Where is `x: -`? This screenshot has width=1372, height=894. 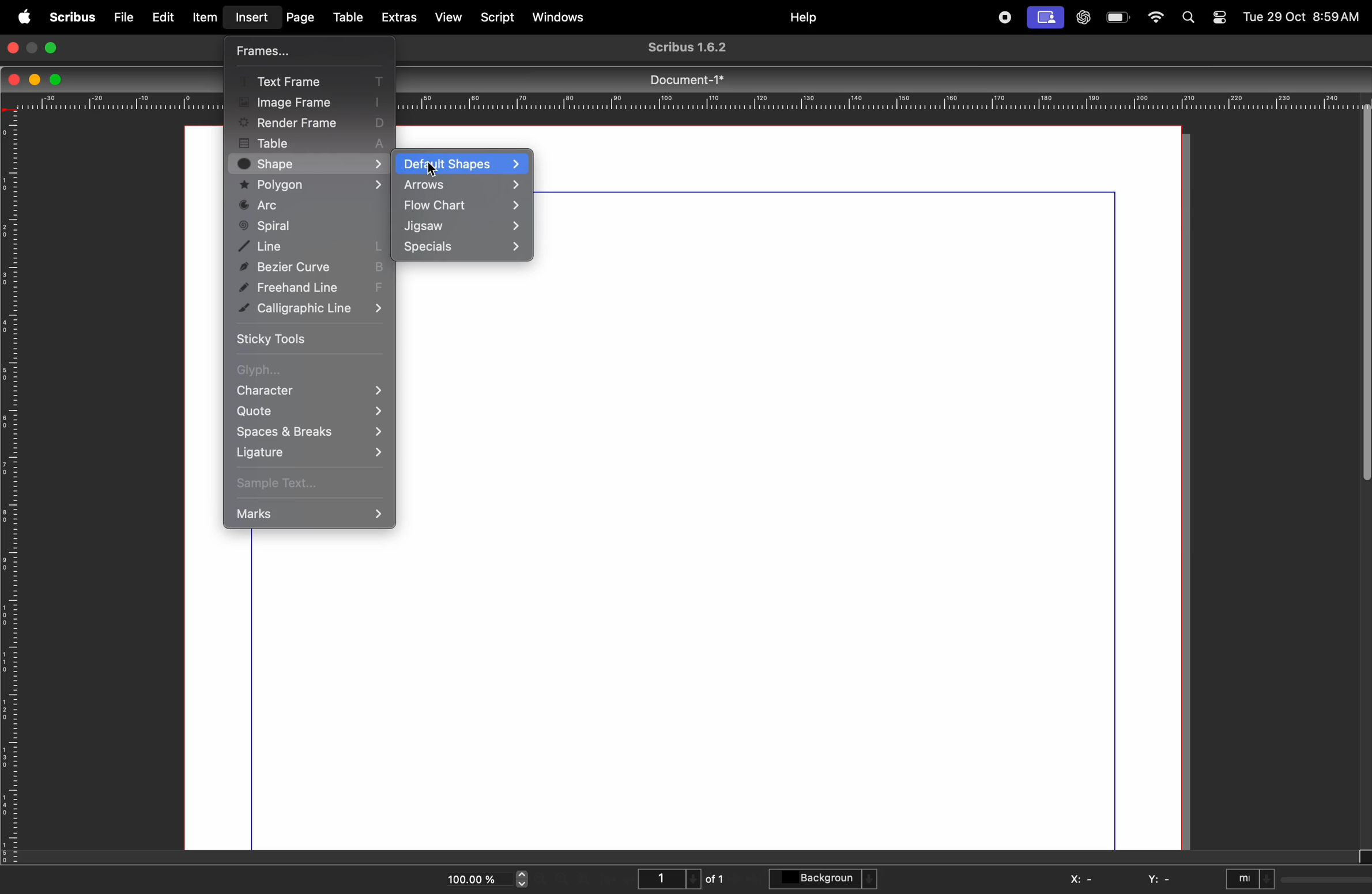 x: - is located at coordinates (1083, 878).